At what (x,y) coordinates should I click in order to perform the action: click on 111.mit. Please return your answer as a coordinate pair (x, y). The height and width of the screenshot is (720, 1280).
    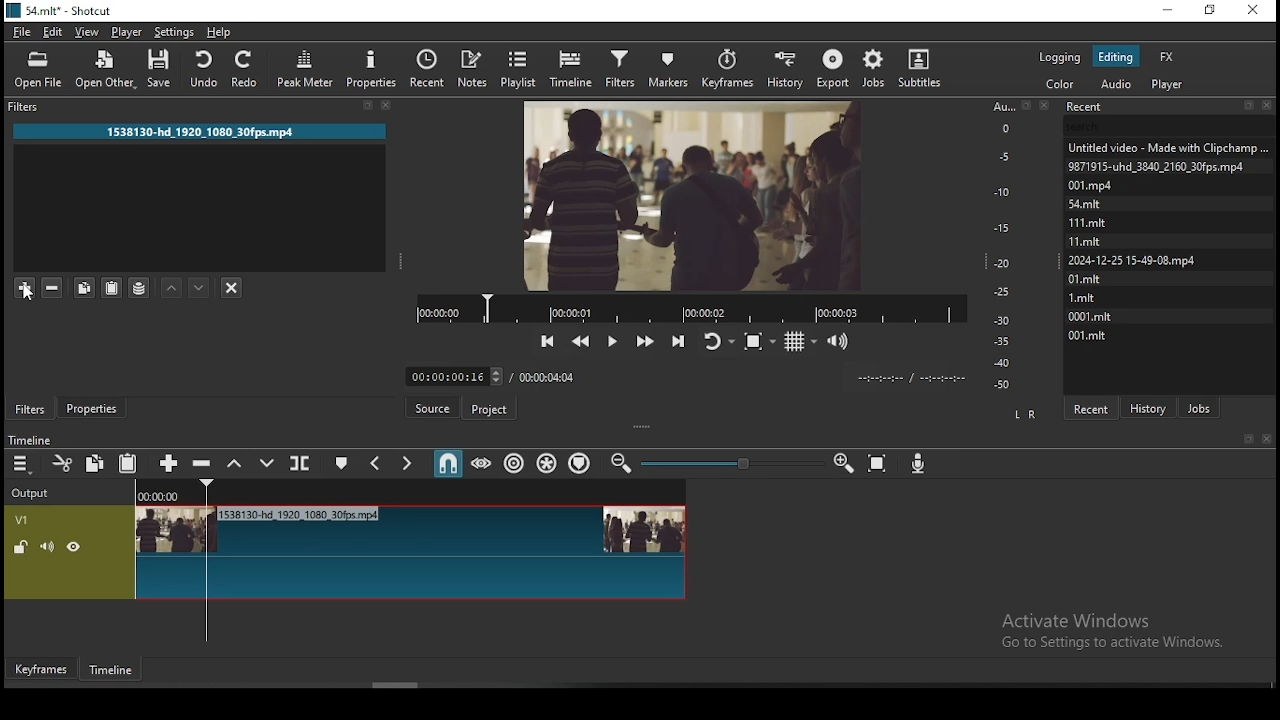
    Looking at the image, I should click on (1100, 222).